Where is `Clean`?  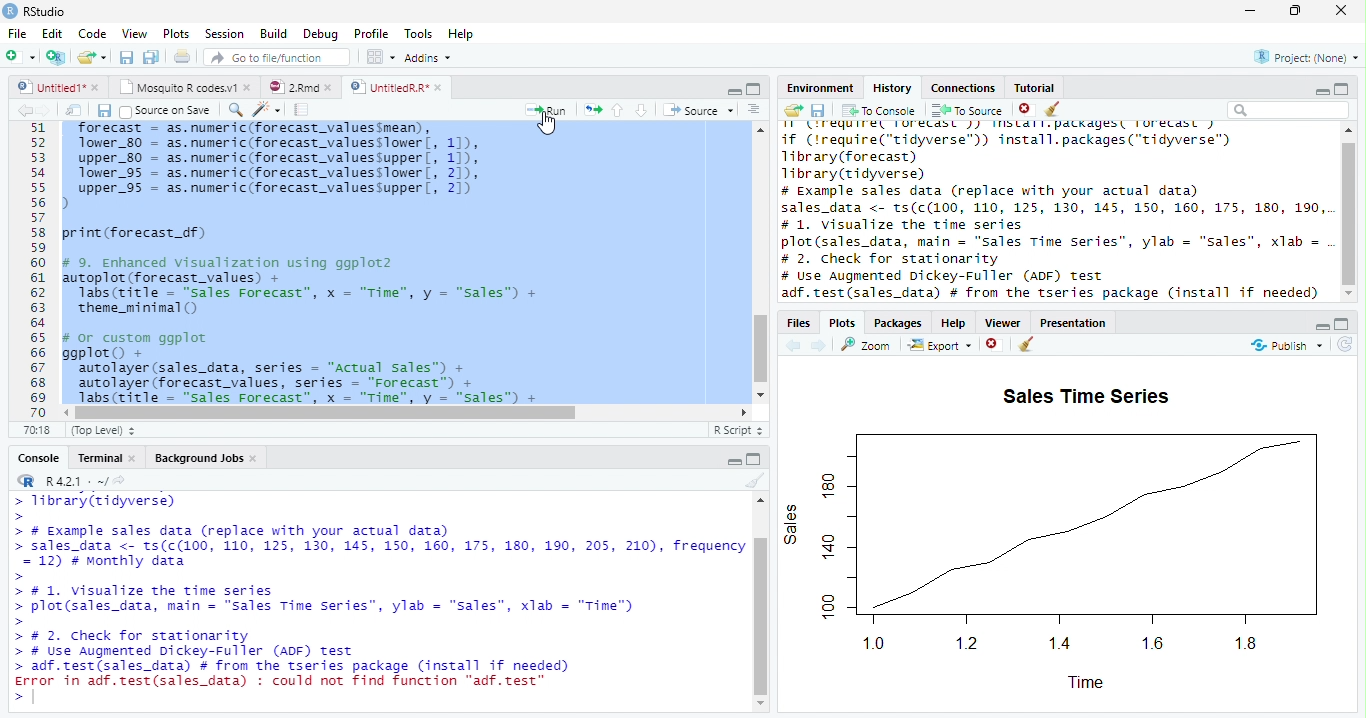 Clean is located at coordinates (1026, 345).